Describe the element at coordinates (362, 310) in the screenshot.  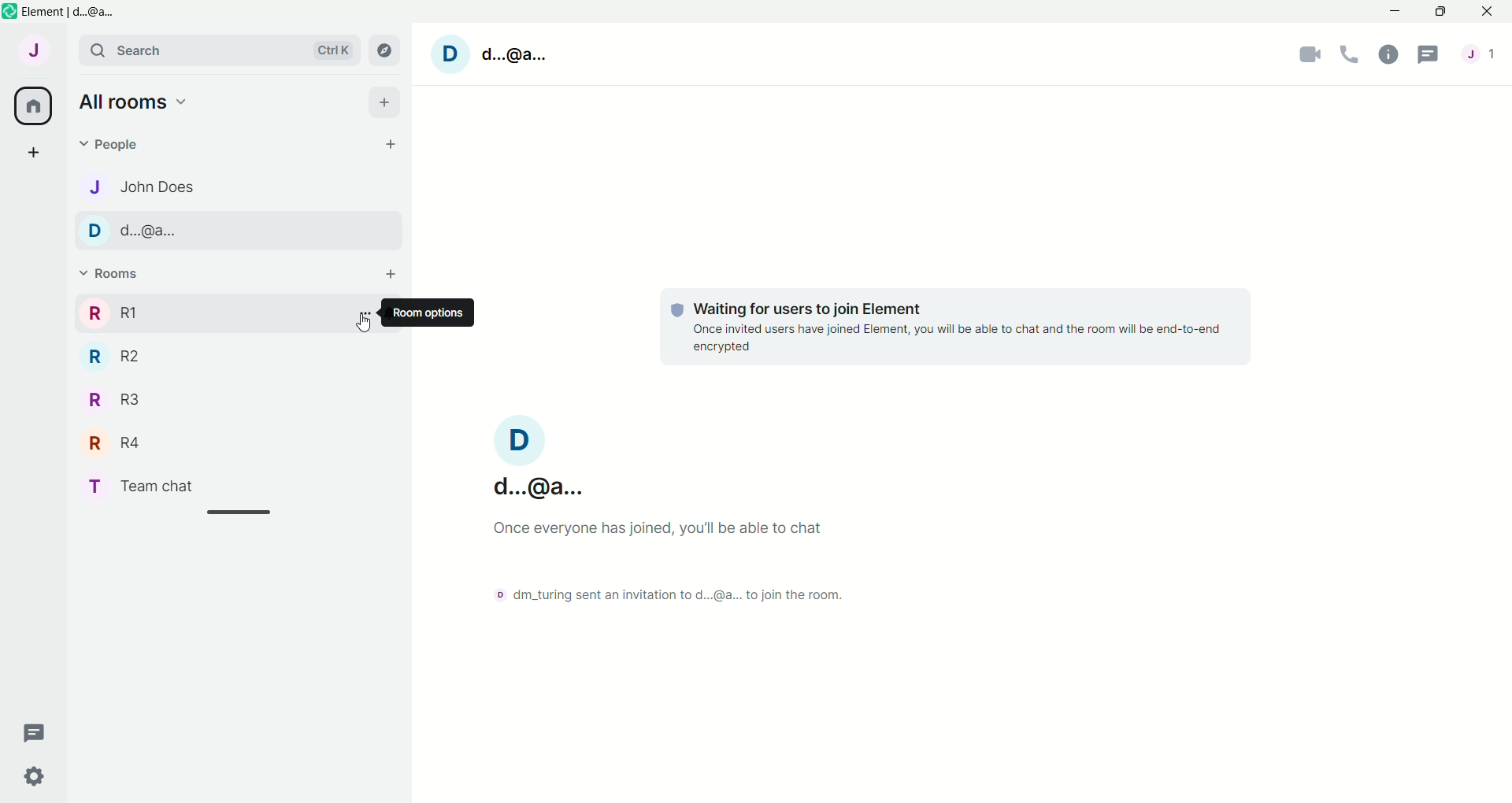
I see `More Options` at that location.